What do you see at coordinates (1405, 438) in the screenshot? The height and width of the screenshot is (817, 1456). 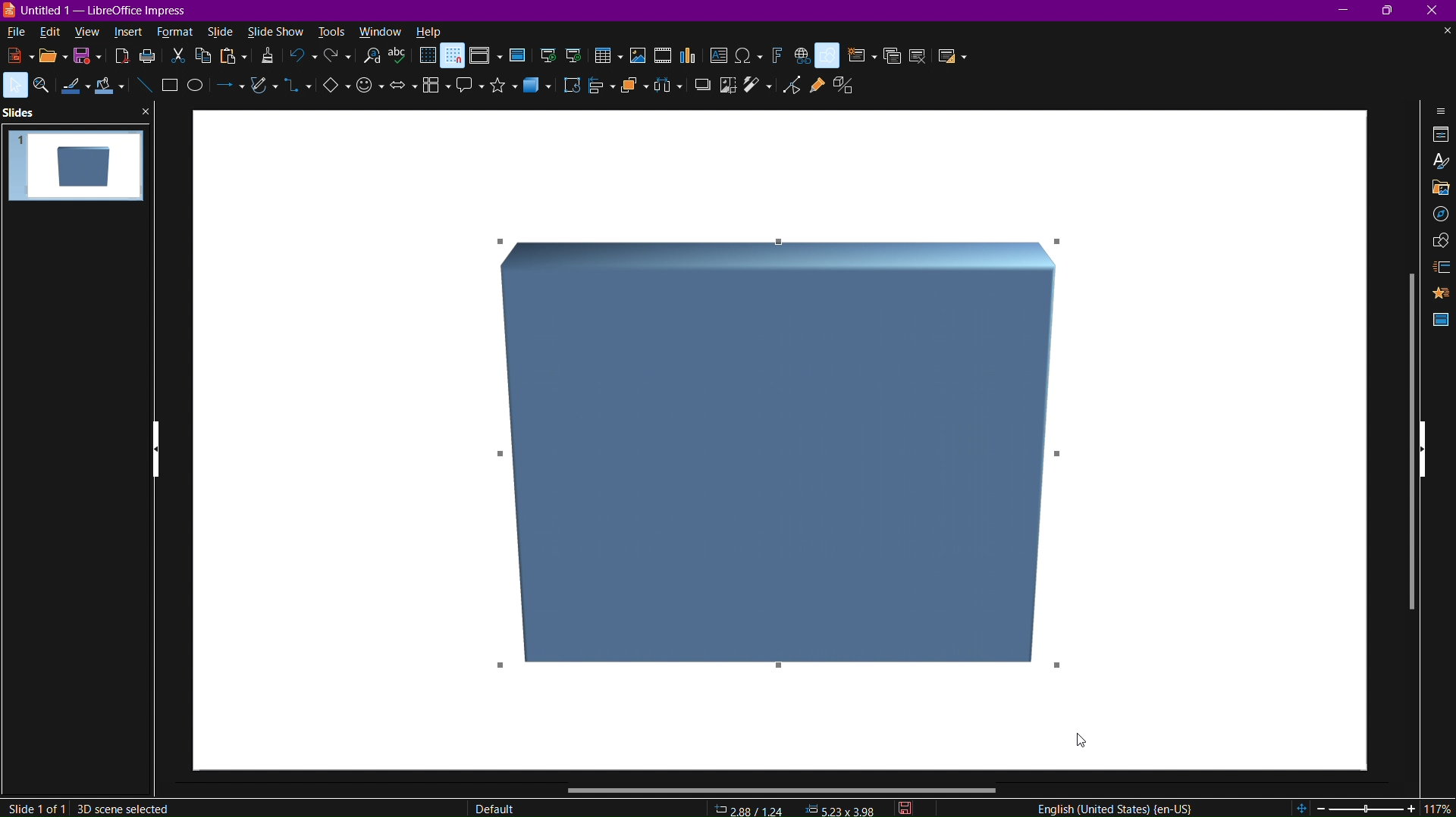 I see `Scrollbar` at bounding box center [1405, 438].